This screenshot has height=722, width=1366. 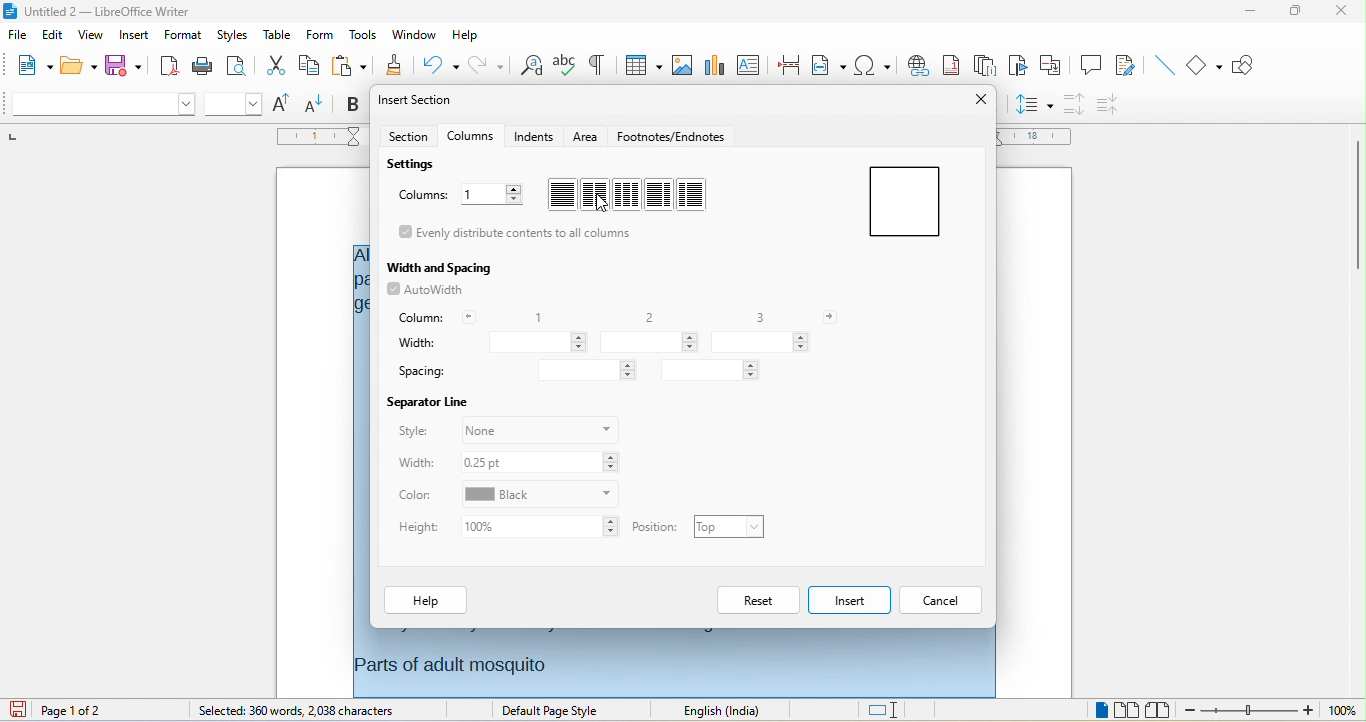 What do you see at coordinates (78, 64) in the screenshot?
I see `open` at bounding box center [78, 64].